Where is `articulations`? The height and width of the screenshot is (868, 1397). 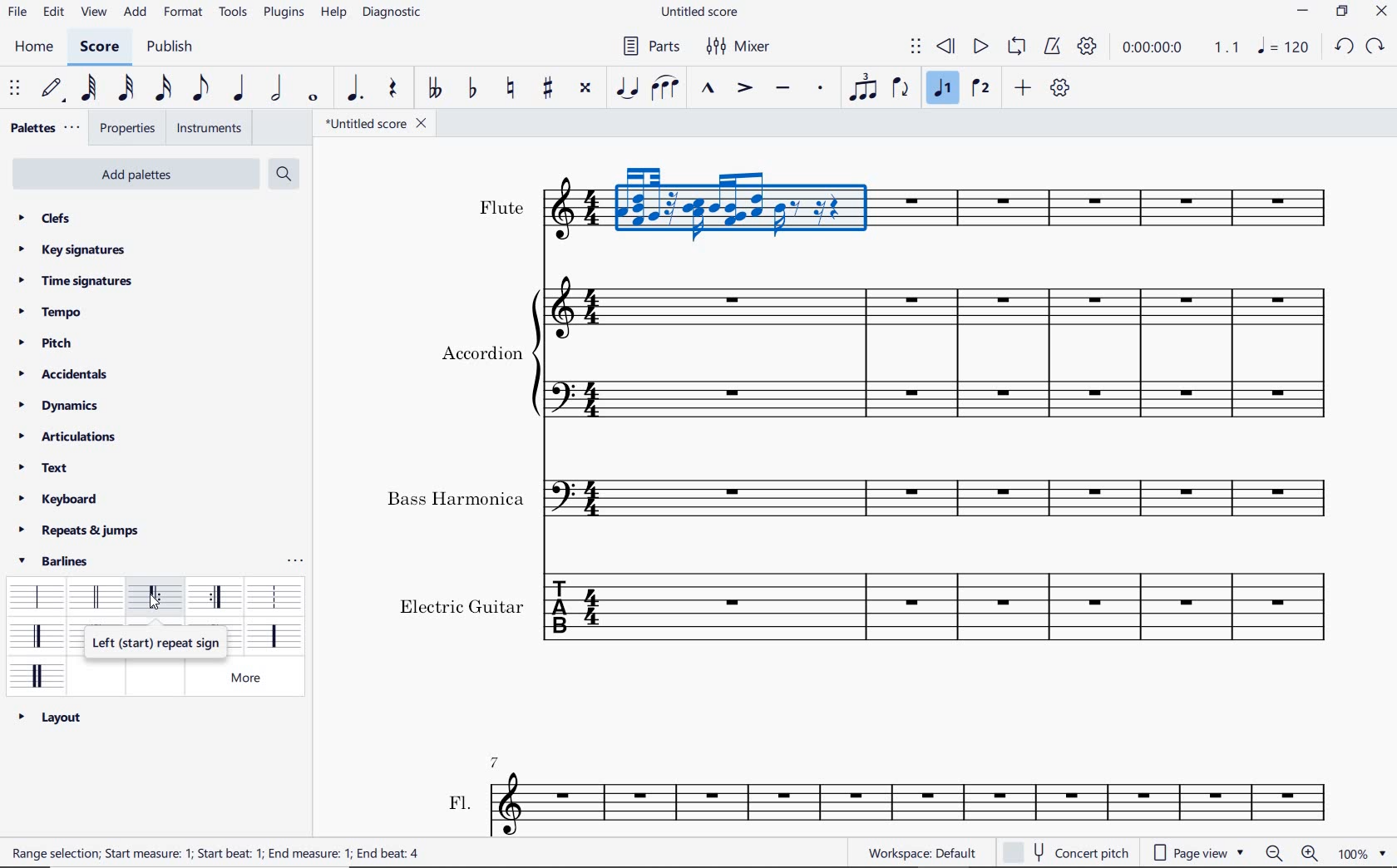 articulations is located at coordinates (68, 437).